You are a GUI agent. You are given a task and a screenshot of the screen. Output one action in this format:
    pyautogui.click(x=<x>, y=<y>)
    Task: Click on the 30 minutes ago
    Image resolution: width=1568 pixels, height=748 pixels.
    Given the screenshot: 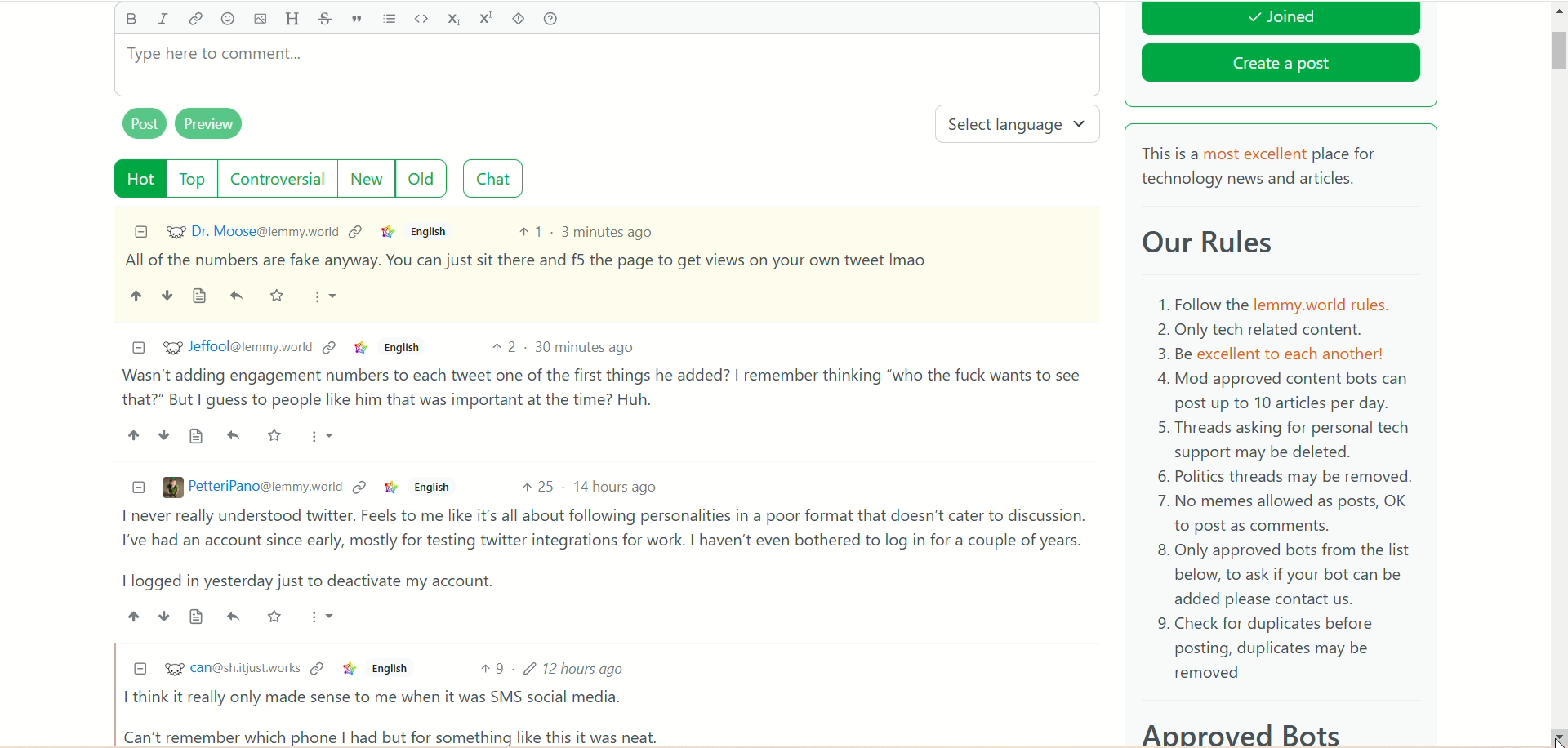 What is the action you would take?
    pyautogui.click(x=586, y=346)
    